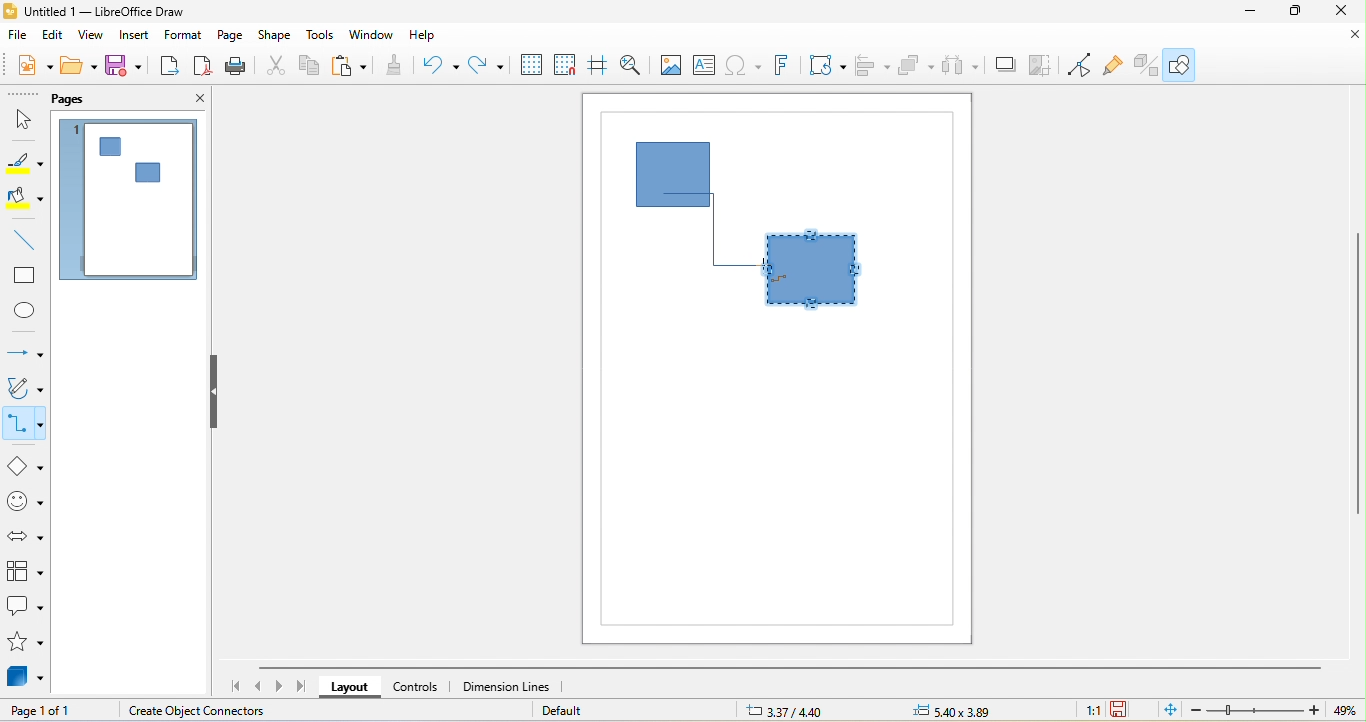 This screenshot has width=1366, height=722. What do you see at coordinates (129, 202) in the screenshot?
I see `page 1` at bounding box center [129, 202].